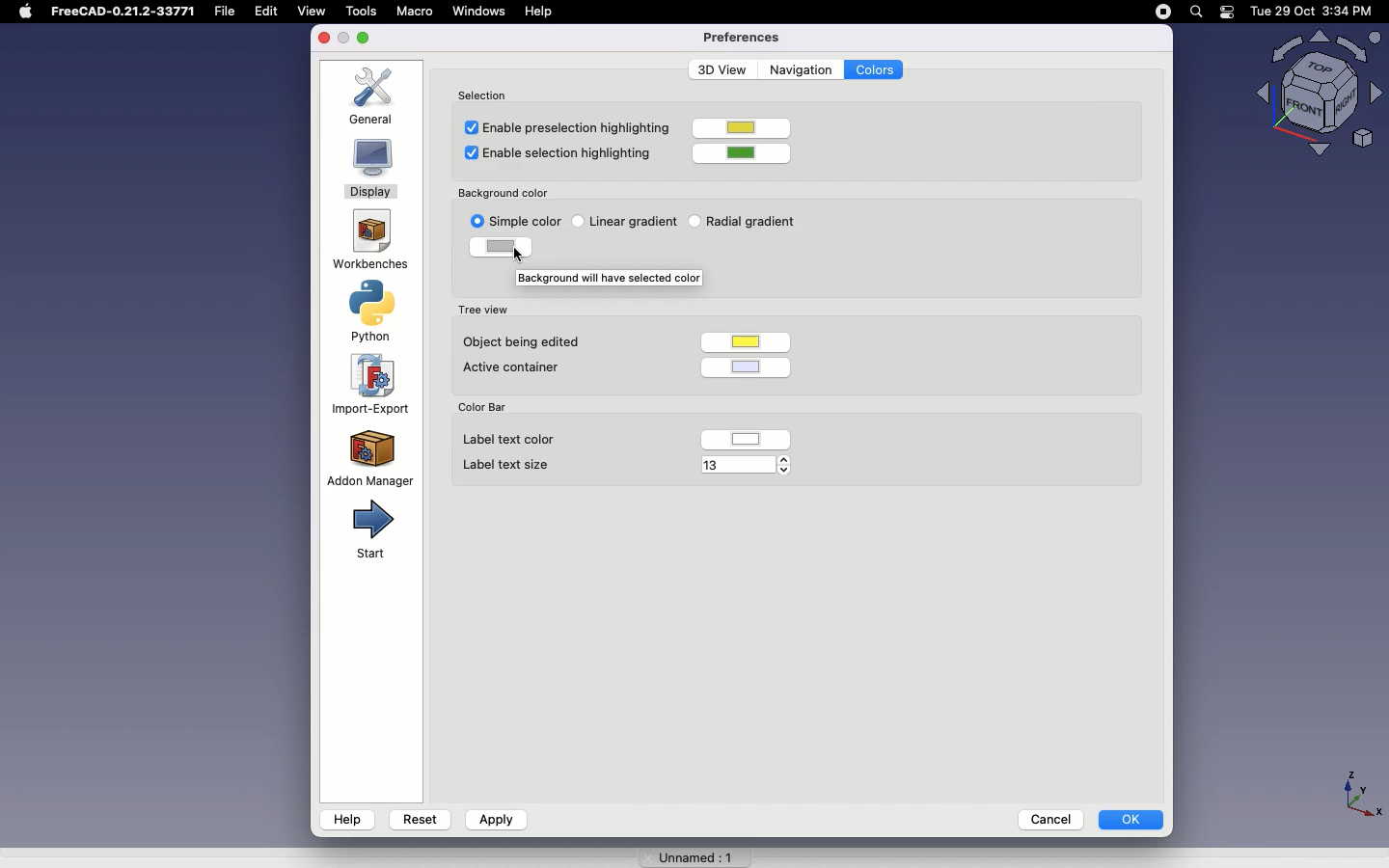  Describe the element at coordinates (750, 223) in the screenshot. I see `Radial gradient` at that location.